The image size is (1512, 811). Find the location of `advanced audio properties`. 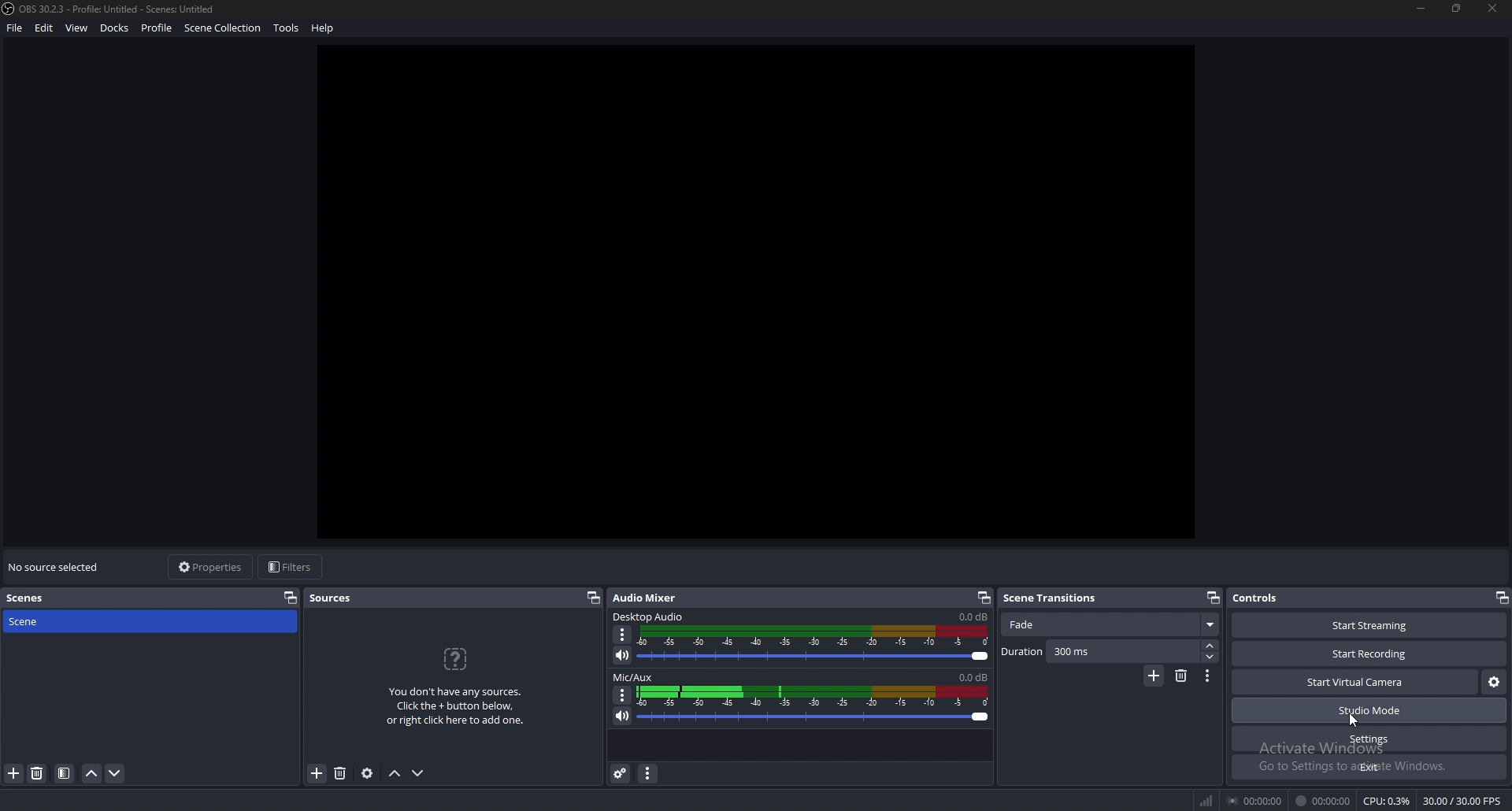

advanced audio properties is located at coordinates (621, 774).